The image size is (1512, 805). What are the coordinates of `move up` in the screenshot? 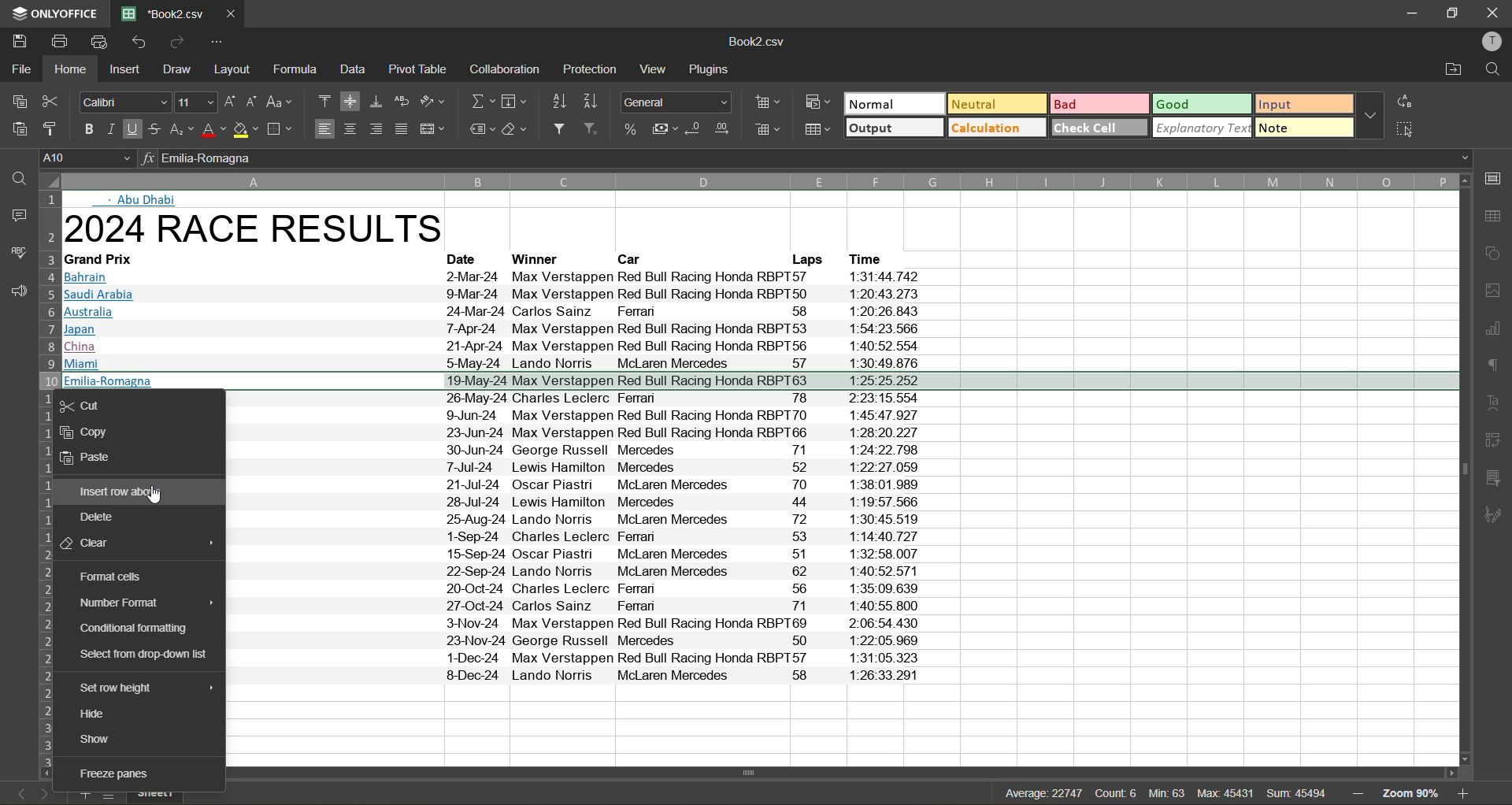 It's located at (1468, 181).